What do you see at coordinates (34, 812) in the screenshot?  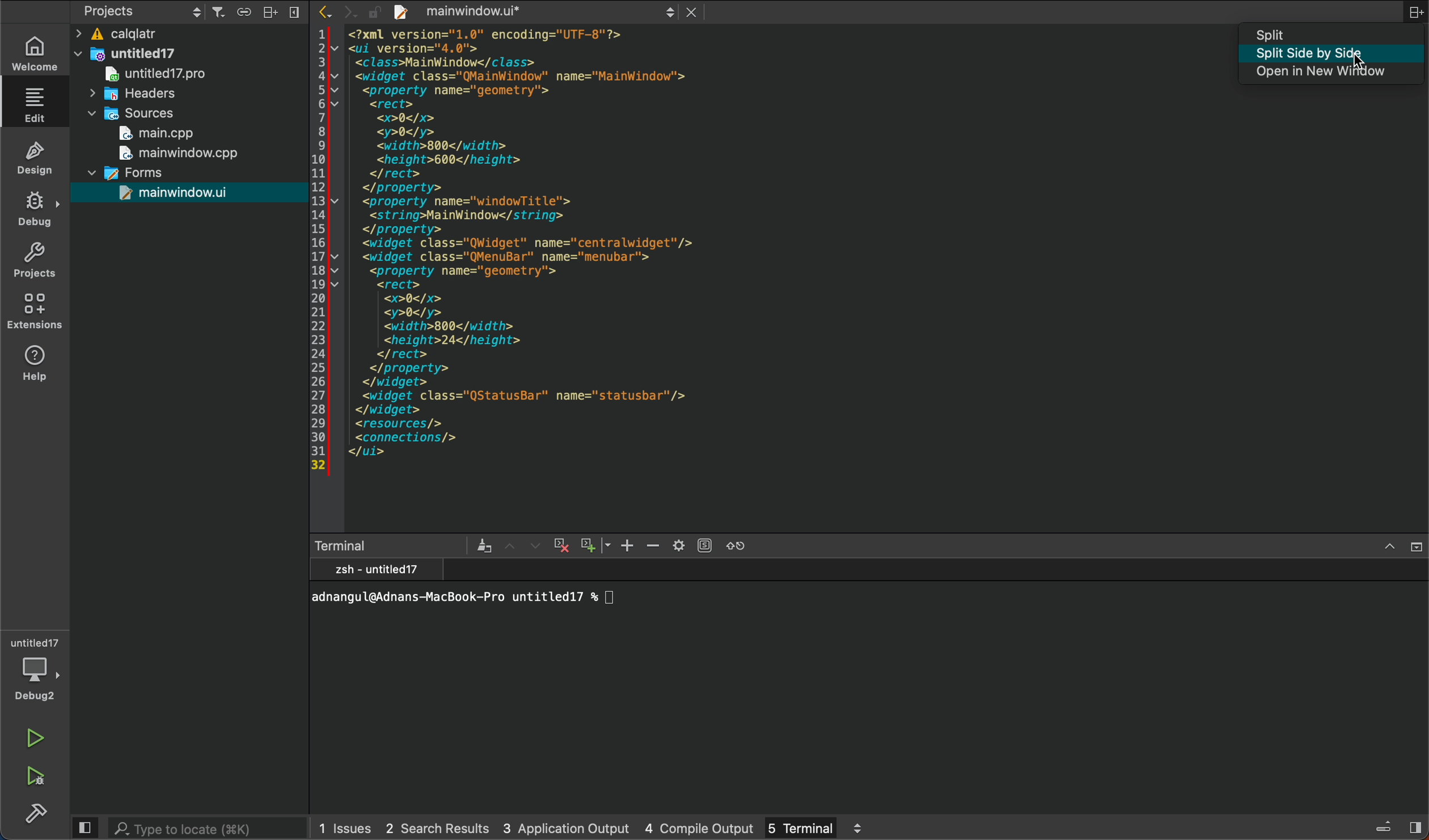 I see `build` at bounding box center [34, 812].